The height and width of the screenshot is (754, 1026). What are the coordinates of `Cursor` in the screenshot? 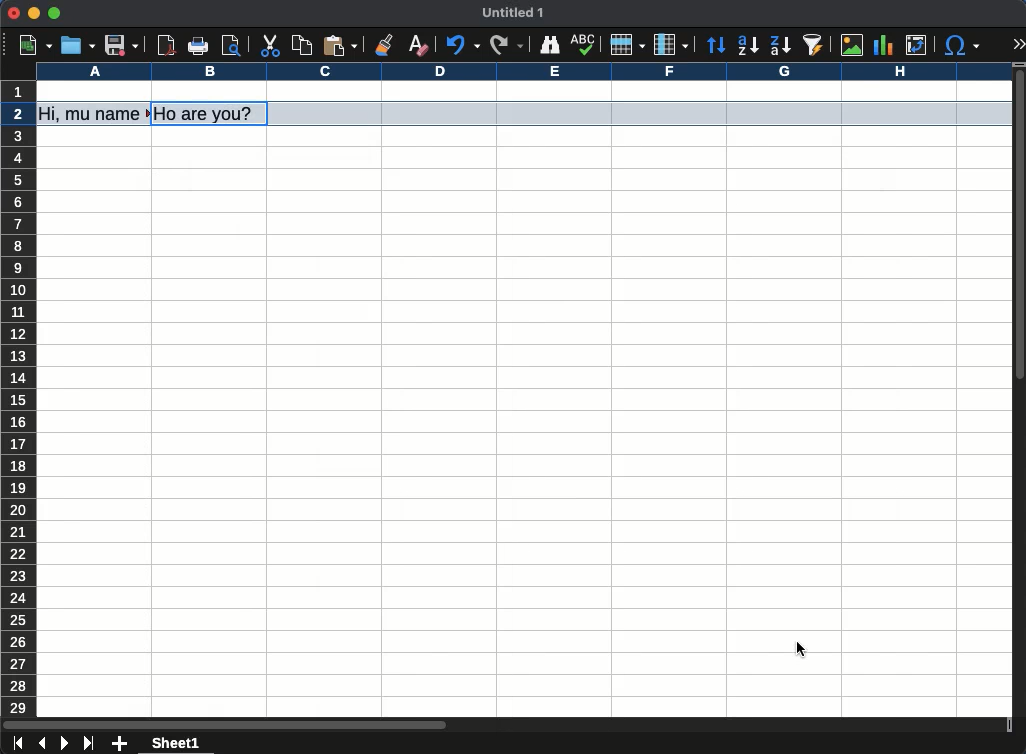 It's located at (803, 650).